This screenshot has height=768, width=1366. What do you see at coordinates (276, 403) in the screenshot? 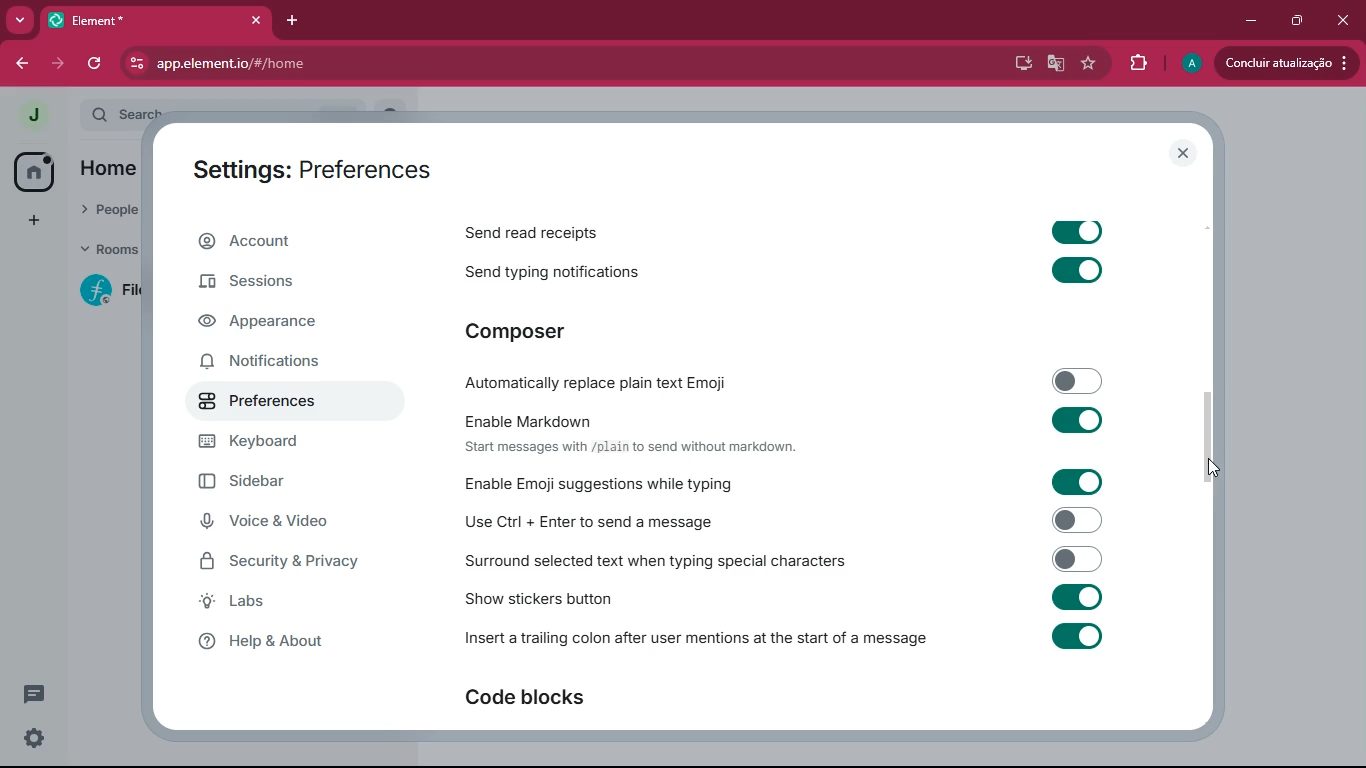
I see `preferences` at bounding box center [276, 403].